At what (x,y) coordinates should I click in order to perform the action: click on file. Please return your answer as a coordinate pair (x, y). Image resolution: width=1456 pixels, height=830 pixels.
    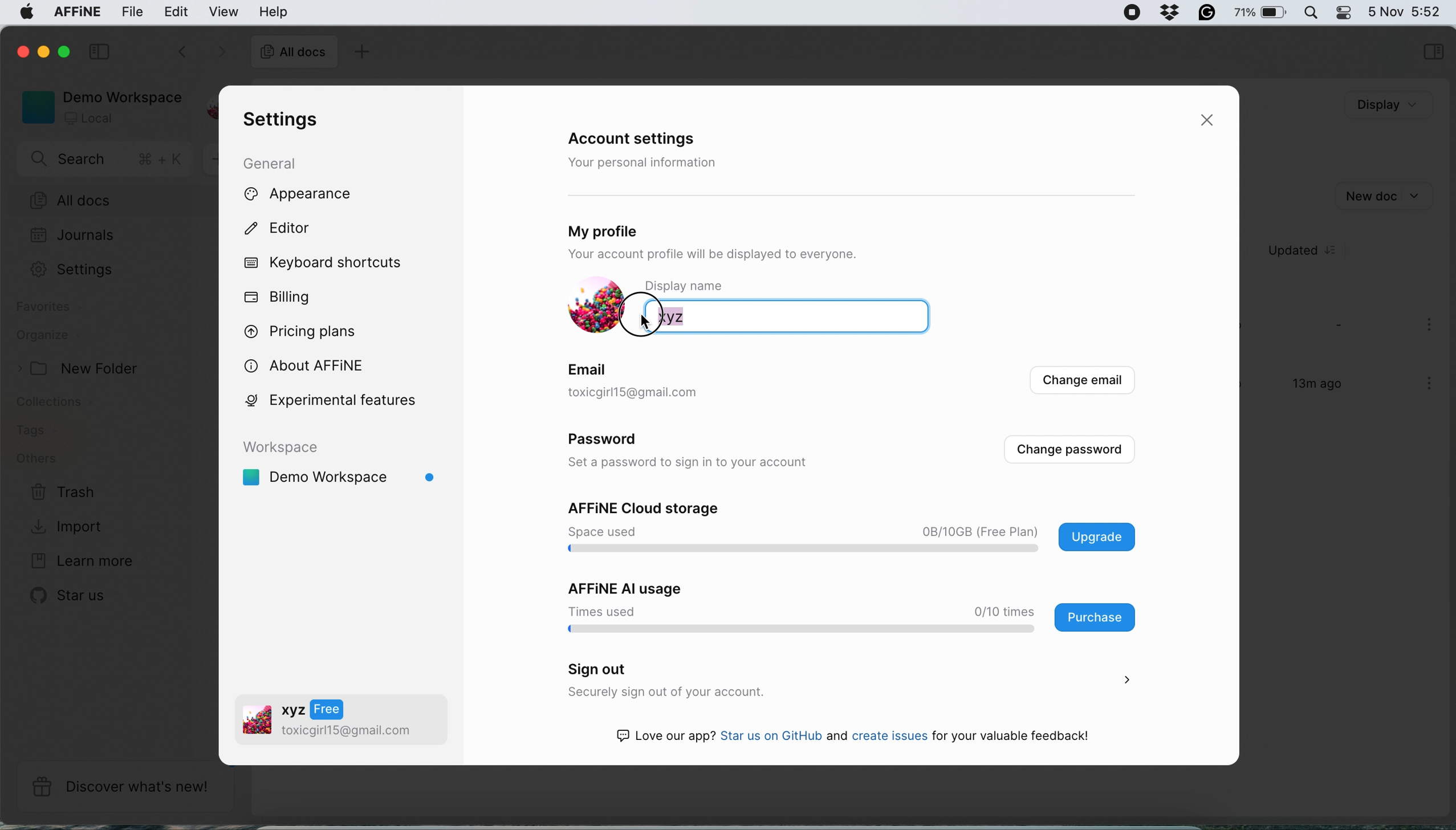
    Looking at the image, I should click on (133, 12).